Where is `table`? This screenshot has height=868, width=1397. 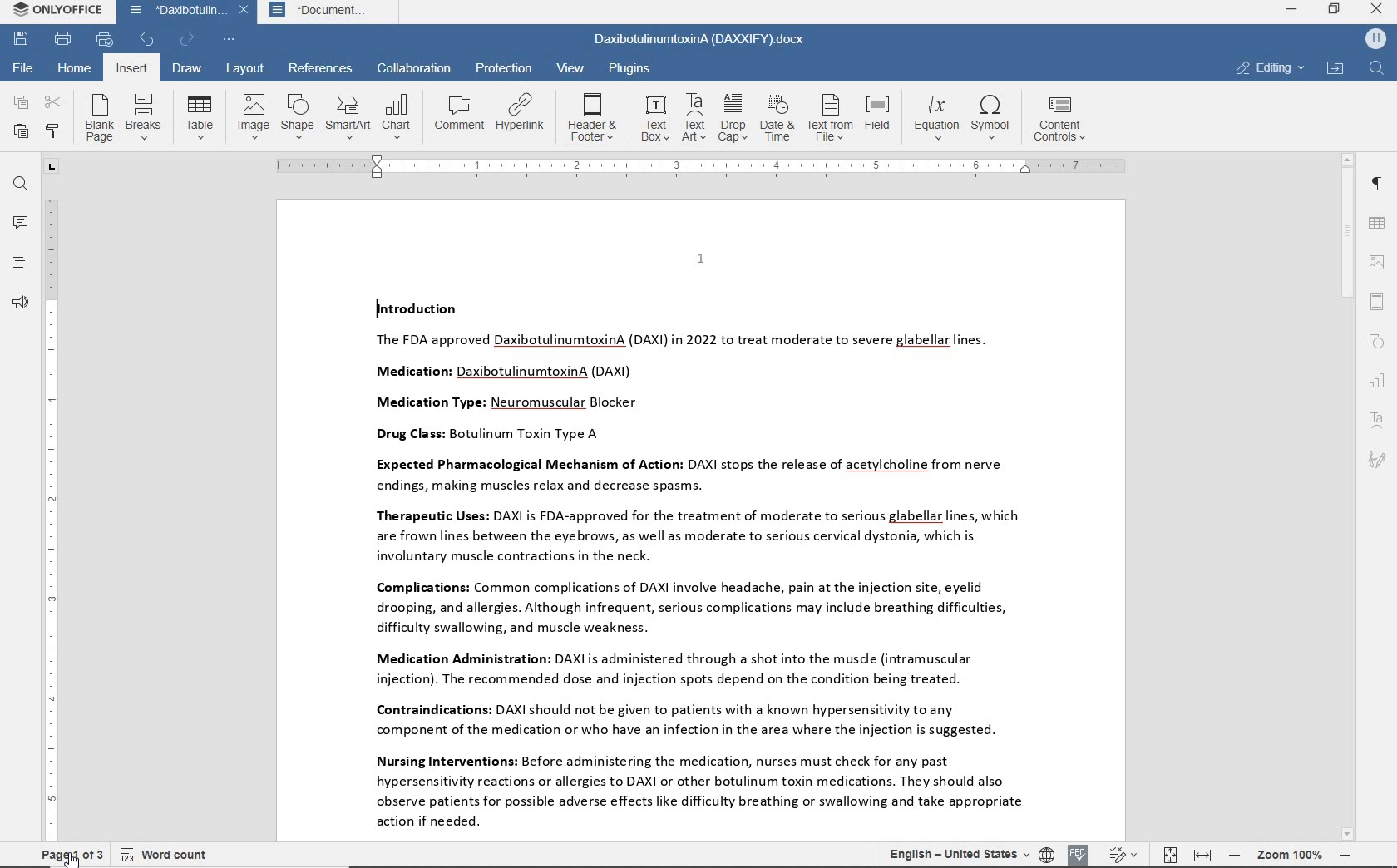 table is located at coordinates (199, 117).